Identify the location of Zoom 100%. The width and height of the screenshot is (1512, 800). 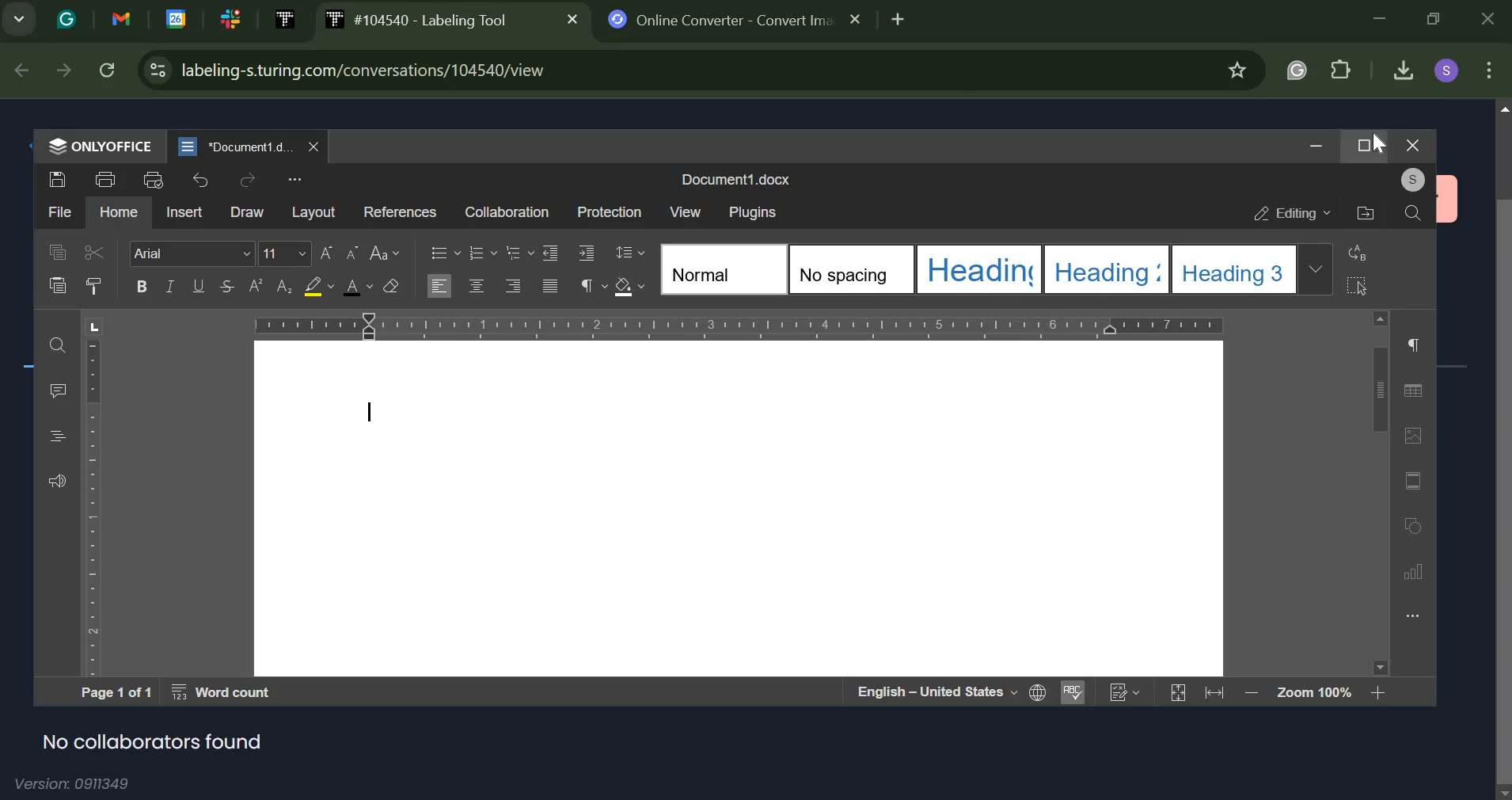
(1314, 692).